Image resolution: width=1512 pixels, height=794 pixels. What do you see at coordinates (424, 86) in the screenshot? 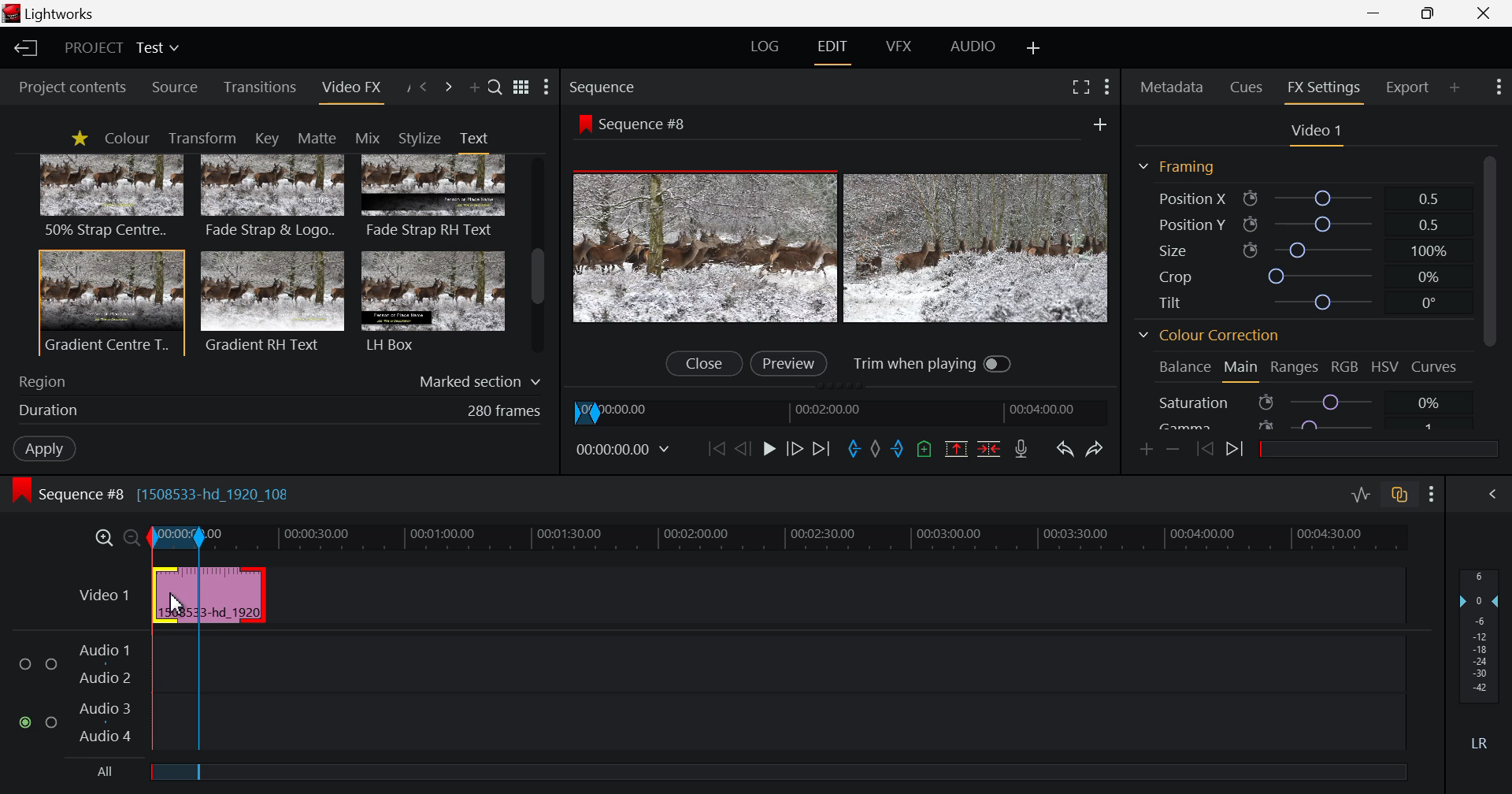
I see `Previous Panel` at bounding box center [424, 86].